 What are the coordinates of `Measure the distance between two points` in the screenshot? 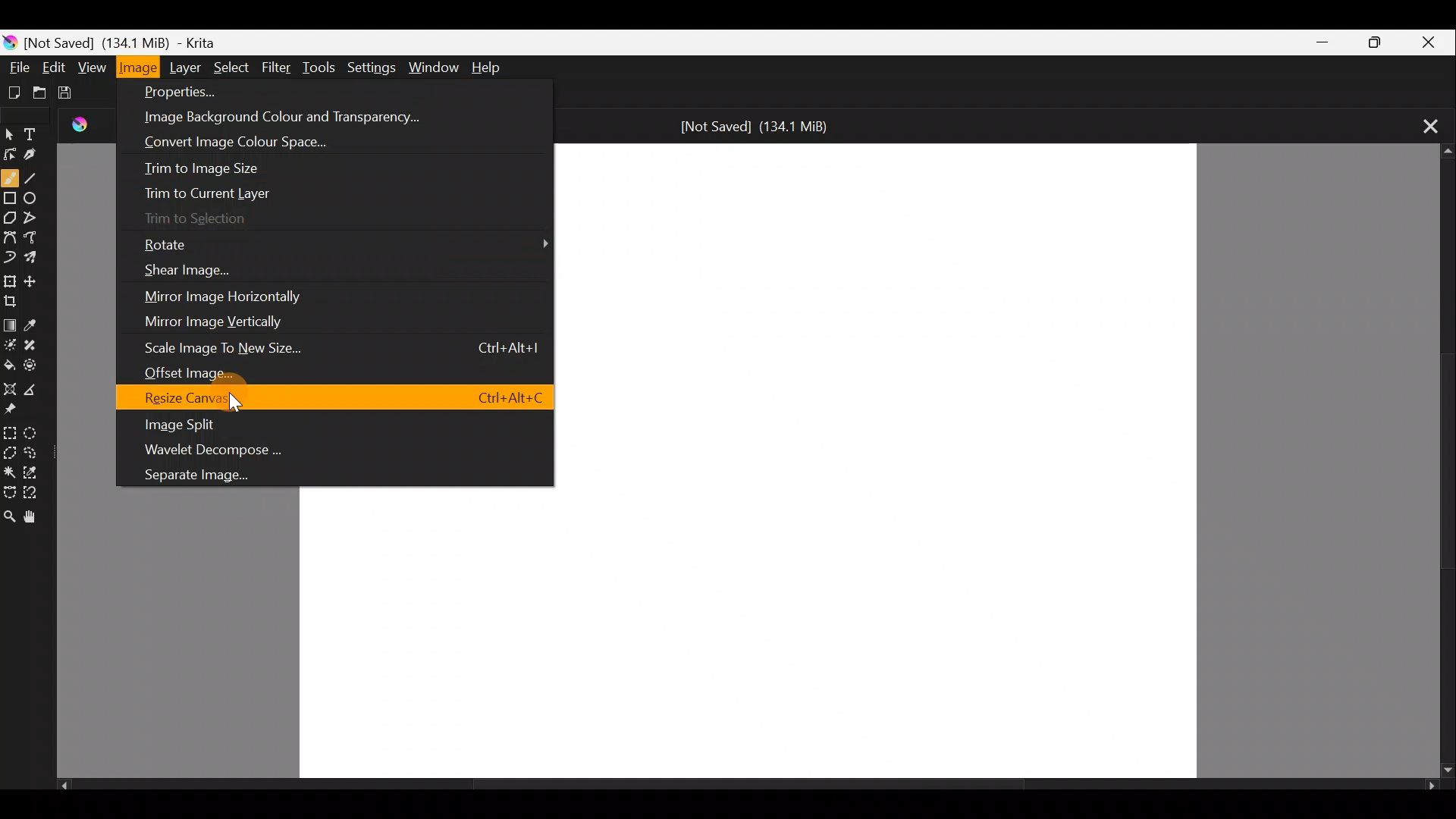 It's located at (35, 391).